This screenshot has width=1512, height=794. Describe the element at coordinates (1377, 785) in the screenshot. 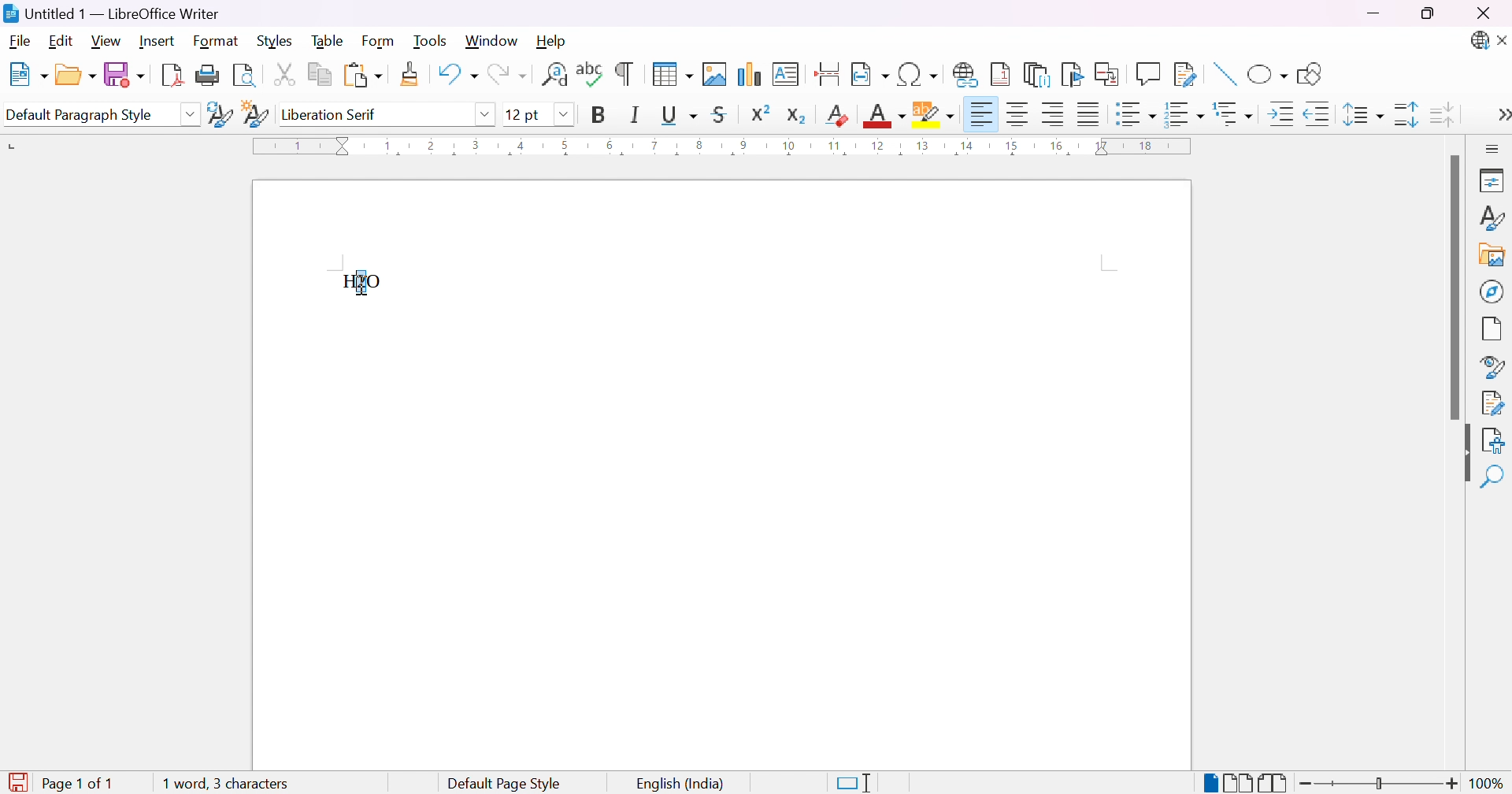

I see `Slider` at that location.